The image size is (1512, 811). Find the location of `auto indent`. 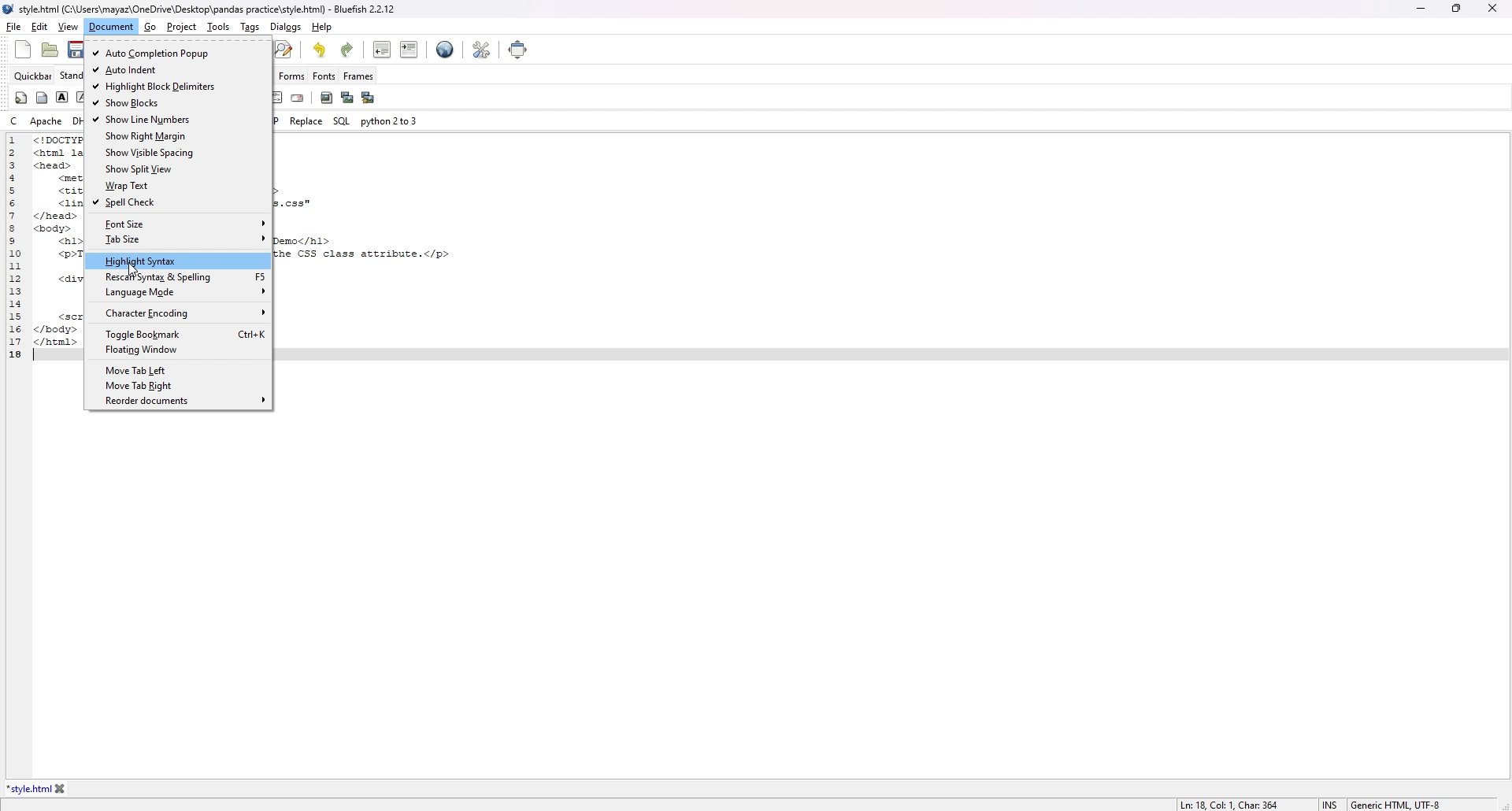

auto indent is located at coordinates (176, 69).